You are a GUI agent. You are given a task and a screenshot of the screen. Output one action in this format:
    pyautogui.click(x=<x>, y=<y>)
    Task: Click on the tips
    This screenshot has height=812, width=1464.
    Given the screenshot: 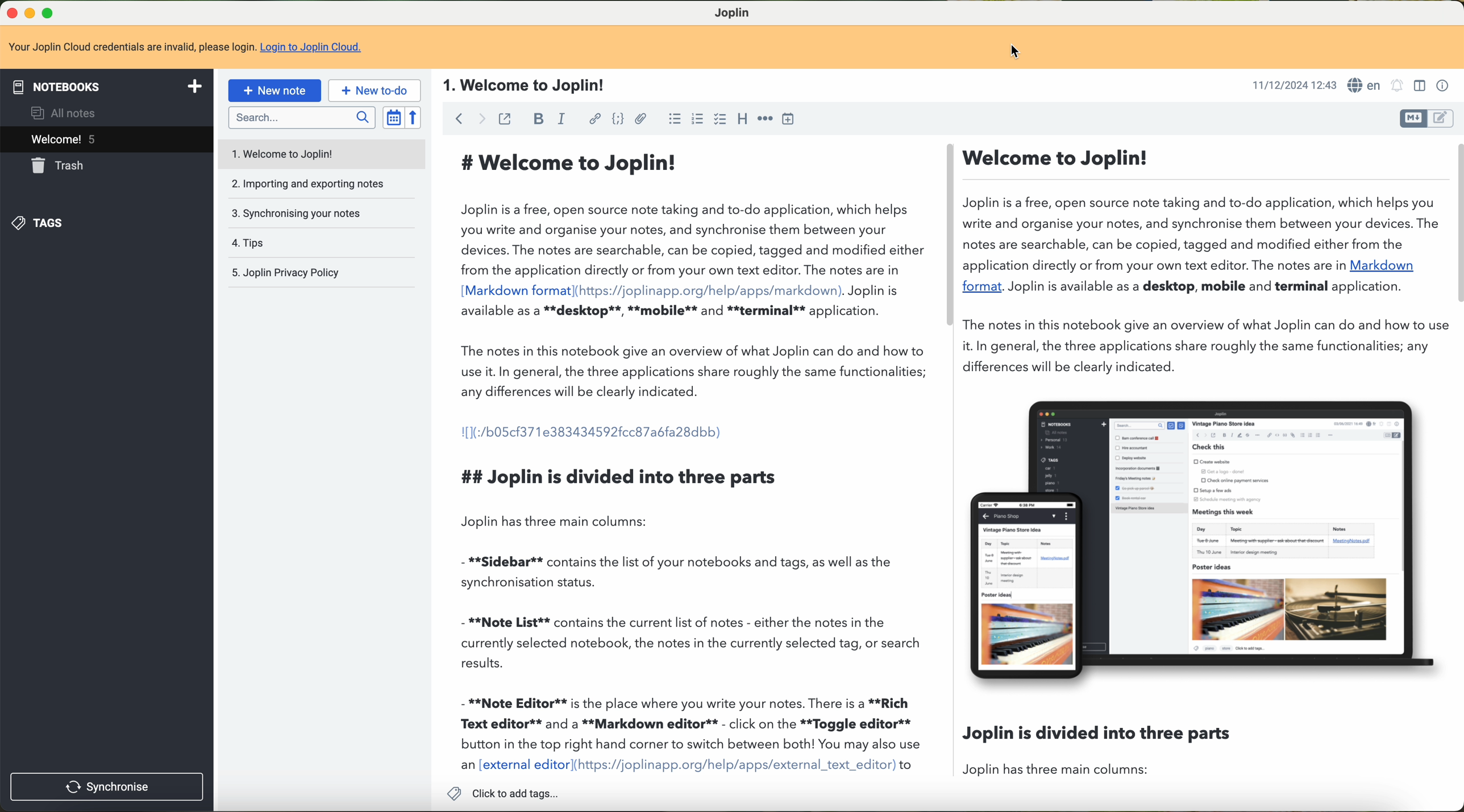 What is the action you would take?
    pyautogui.click(x=324, y=243)
    